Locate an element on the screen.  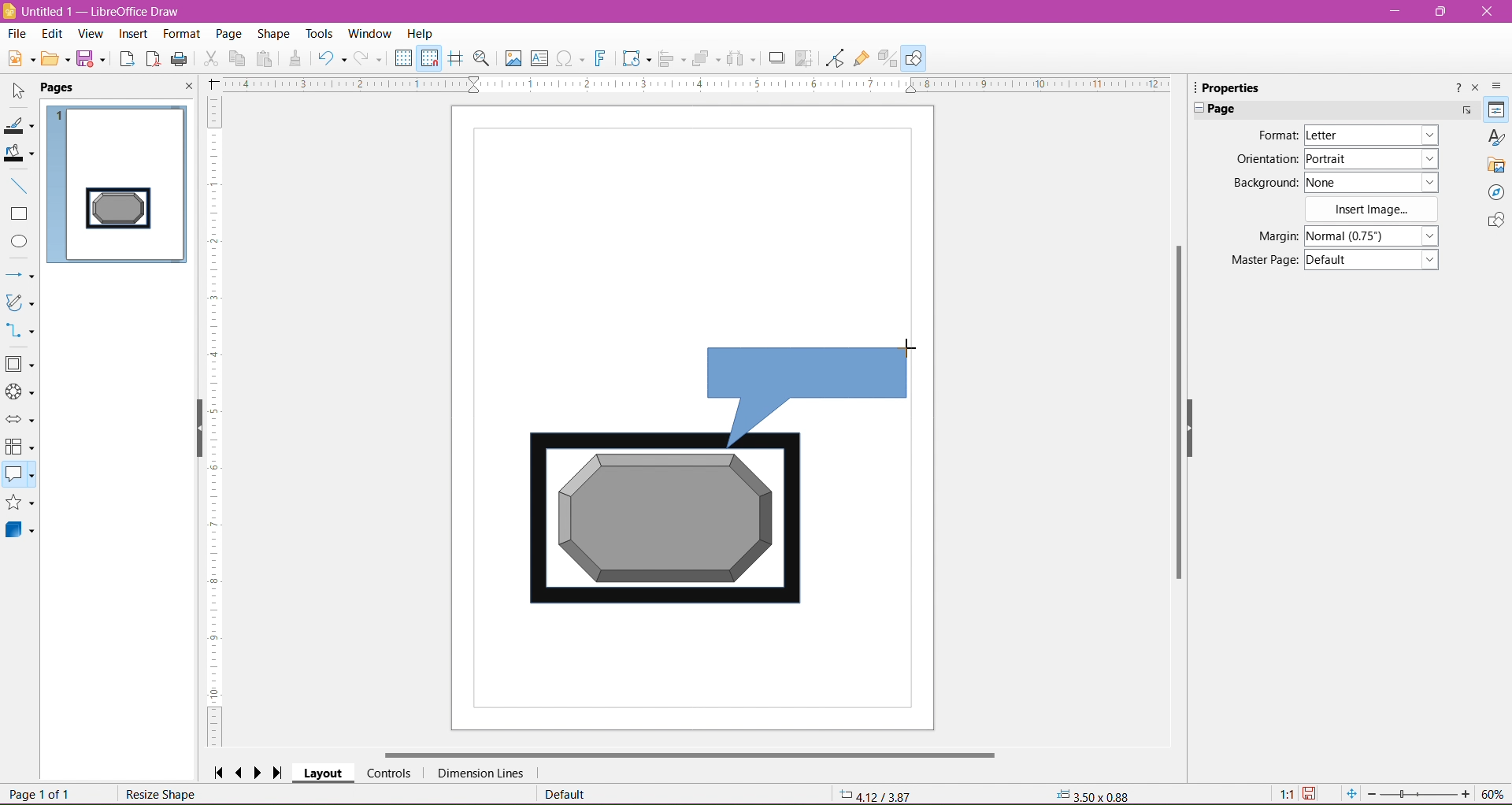
Scroll to last page is located at coordinates (283, 770).